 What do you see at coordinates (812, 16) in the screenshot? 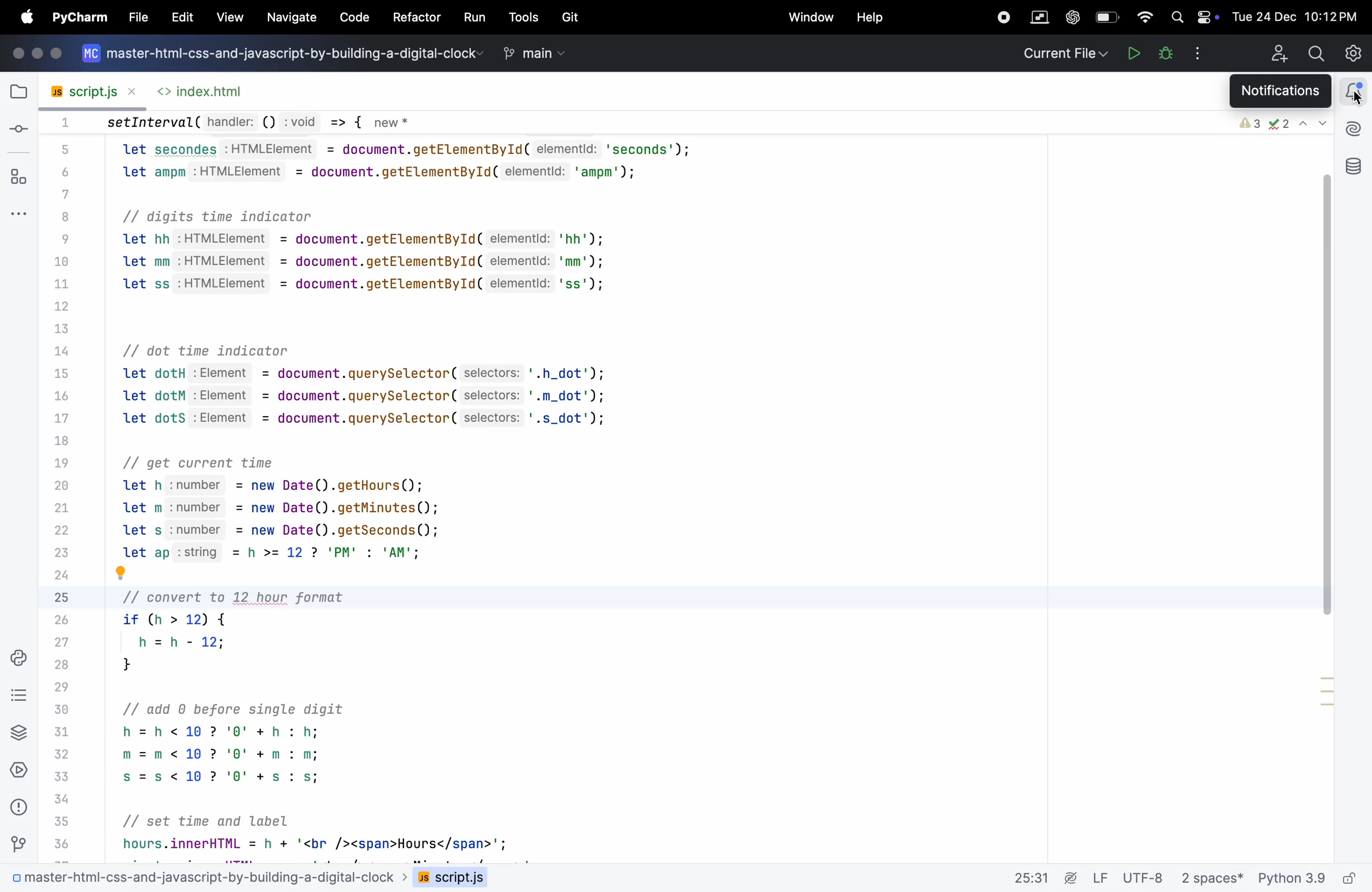
I see `window` at bounding box center [812, 16].